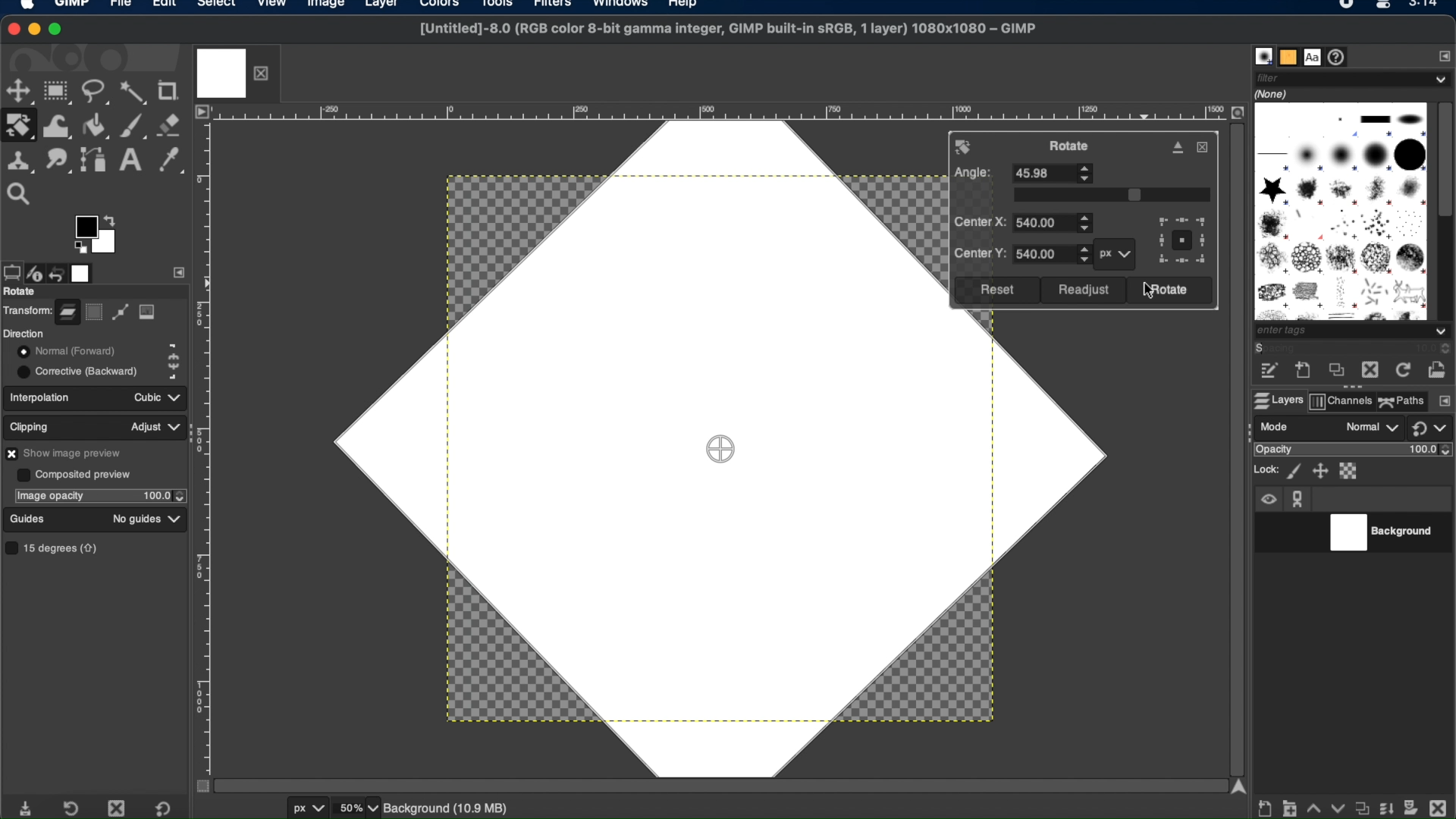 The width and height of the screenshot is (1456, 819). Describe the element at coordinates (1269, 372) in the screenshot. I see `edit this brush` at that location.